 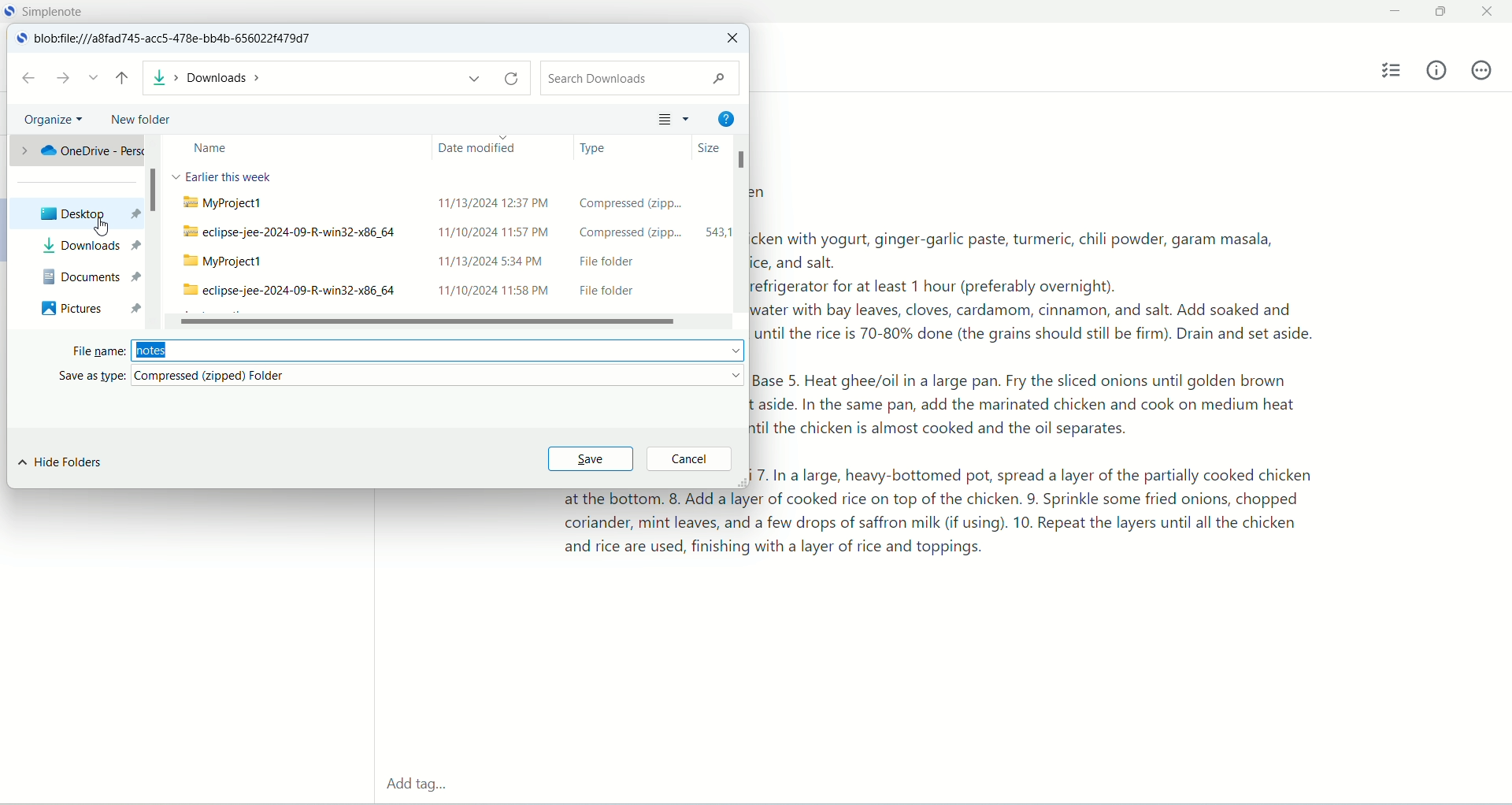 I want to click on forward, so click(x=64, y=77).